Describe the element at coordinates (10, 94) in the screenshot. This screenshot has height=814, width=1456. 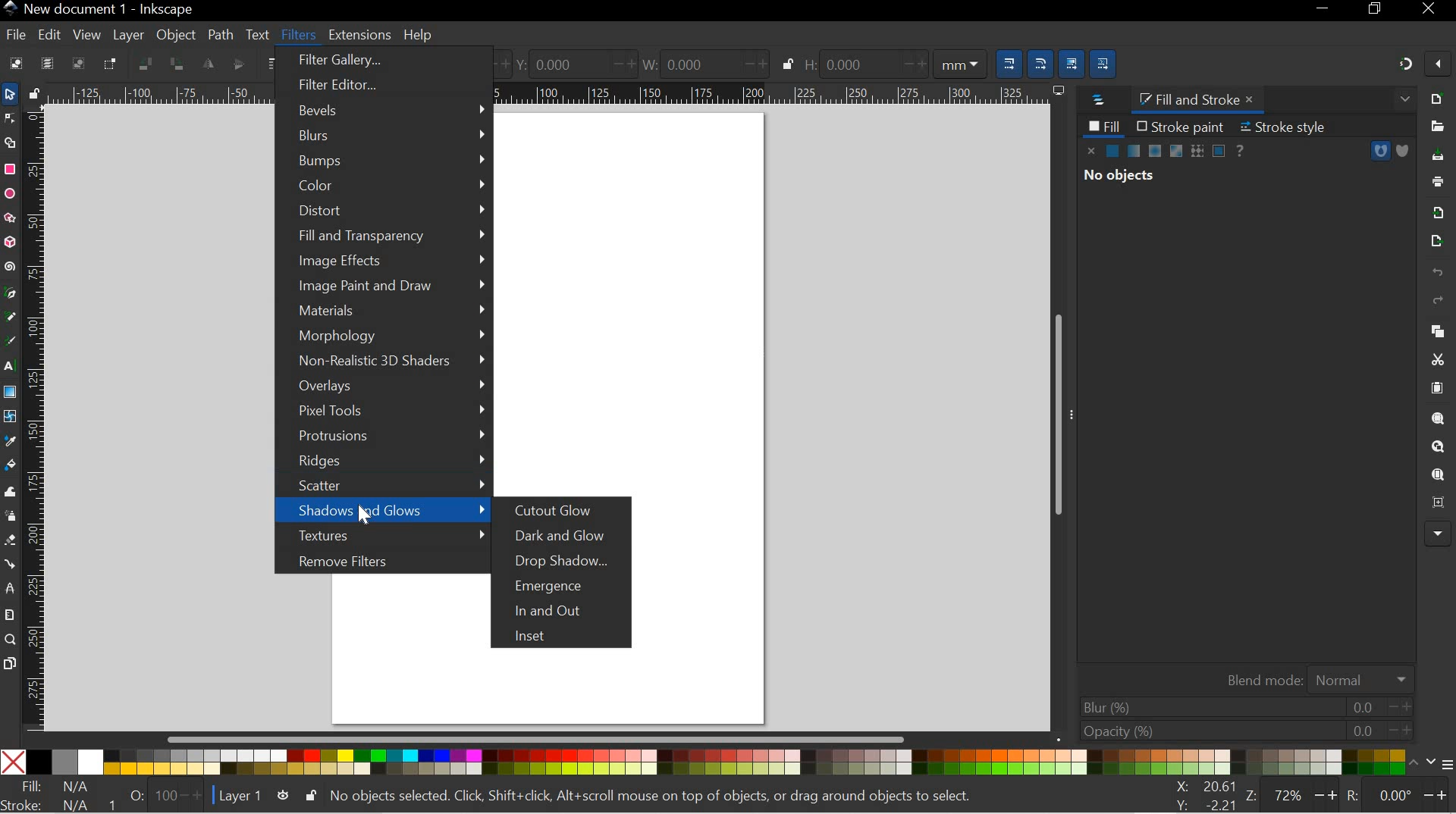
I see `SELECT TOOL` at that location.